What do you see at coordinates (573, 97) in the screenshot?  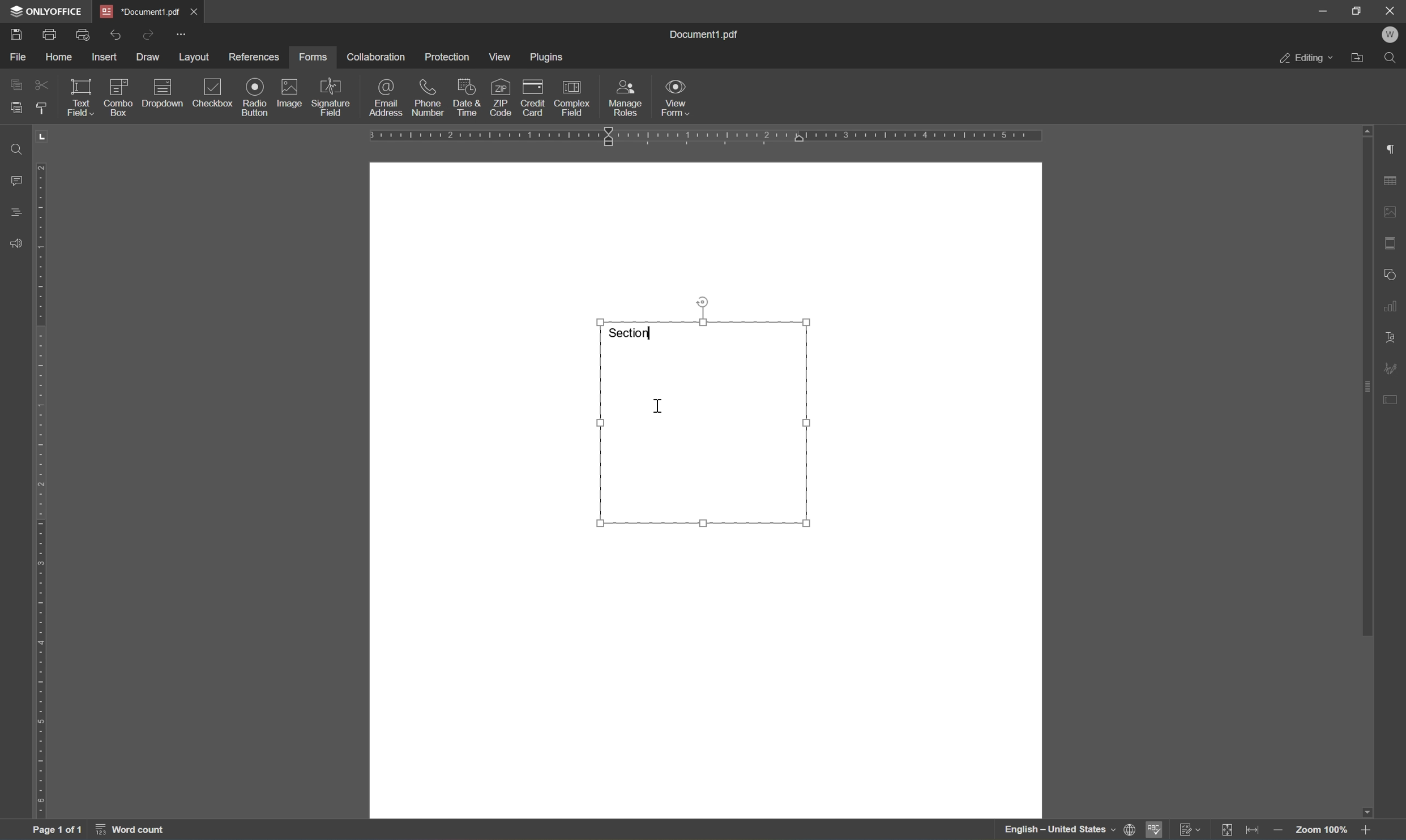 I see `complex field` at bounding box center [573, 97].